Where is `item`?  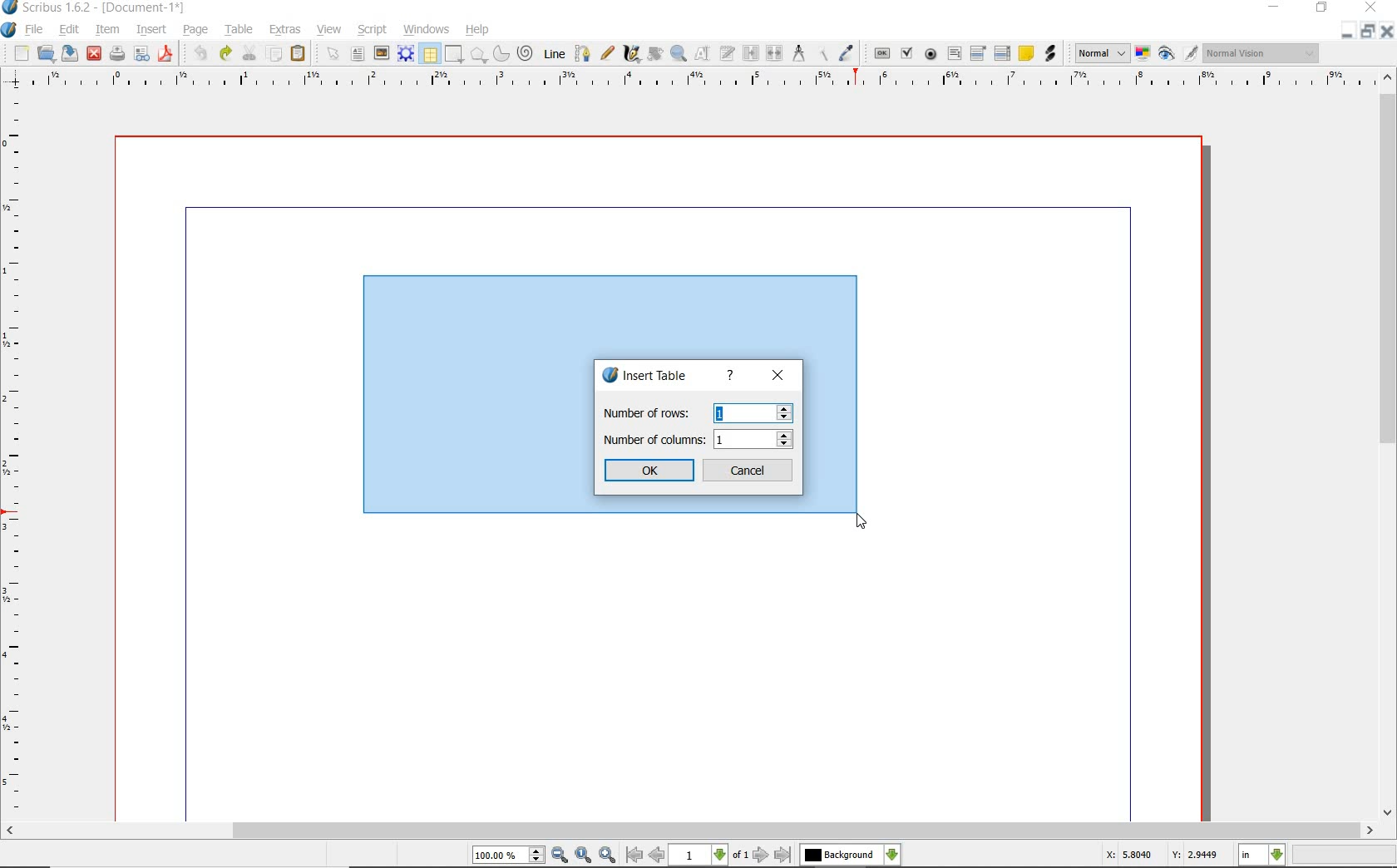 item is located at coordinates (106, 30).